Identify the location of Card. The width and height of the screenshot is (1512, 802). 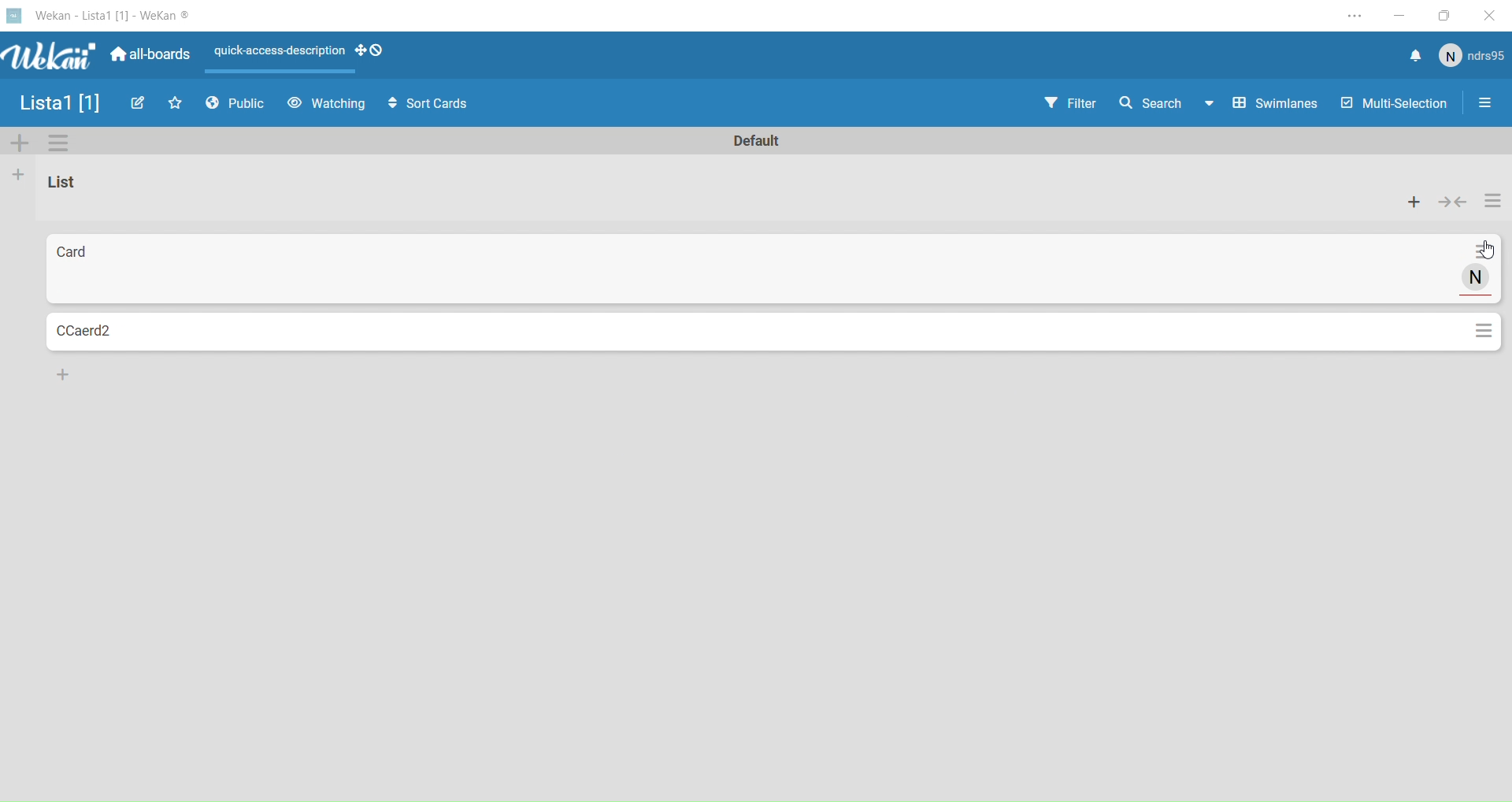
(630, 269).